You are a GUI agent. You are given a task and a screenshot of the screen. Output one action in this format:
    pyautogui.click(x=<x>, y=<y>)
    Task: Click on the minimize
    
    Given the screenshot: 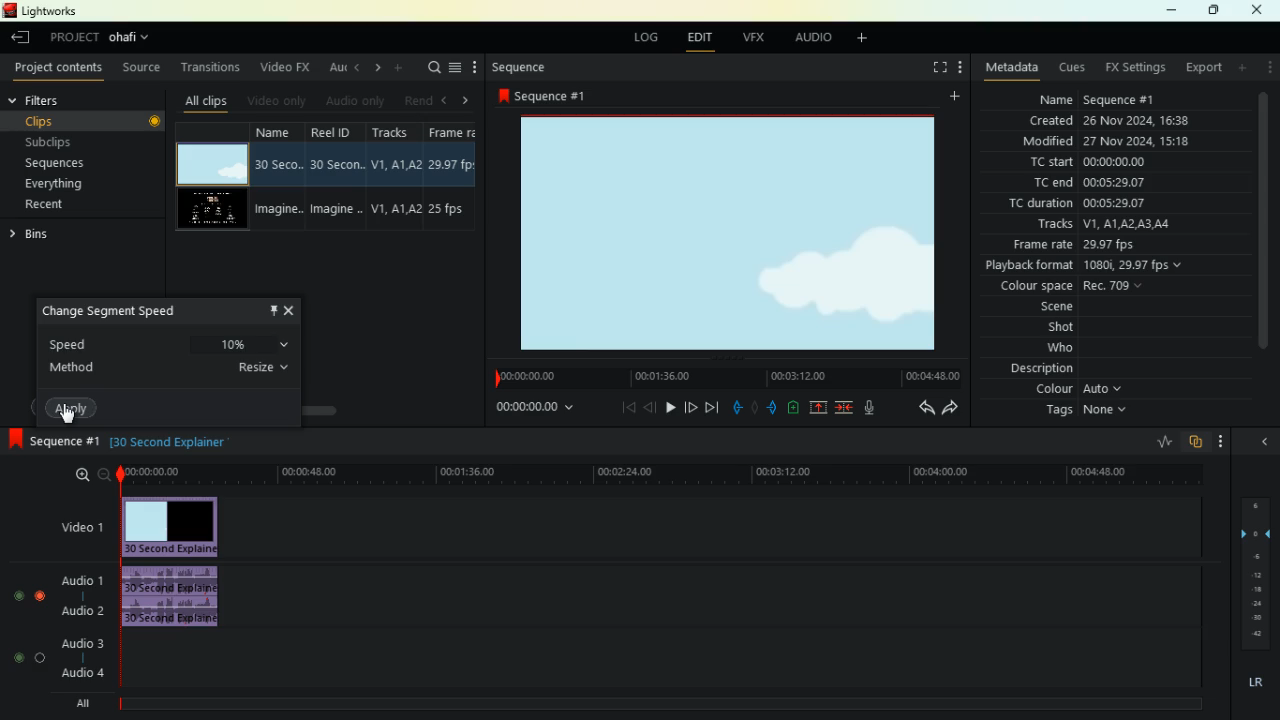 What is the action you would take?
    pyautogui.click(x=1166, y=11)
    